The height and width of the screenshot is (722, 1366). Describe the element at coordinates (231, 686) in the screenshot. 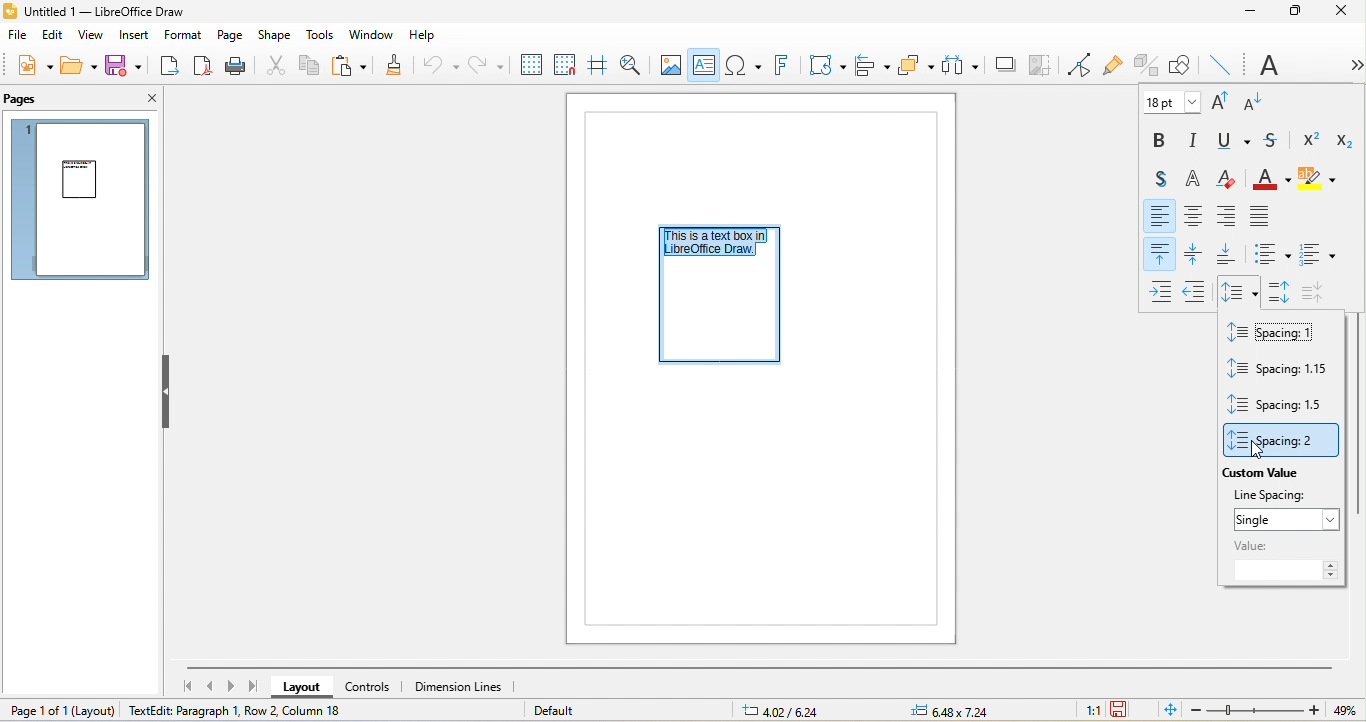

I see `next page` at that location.